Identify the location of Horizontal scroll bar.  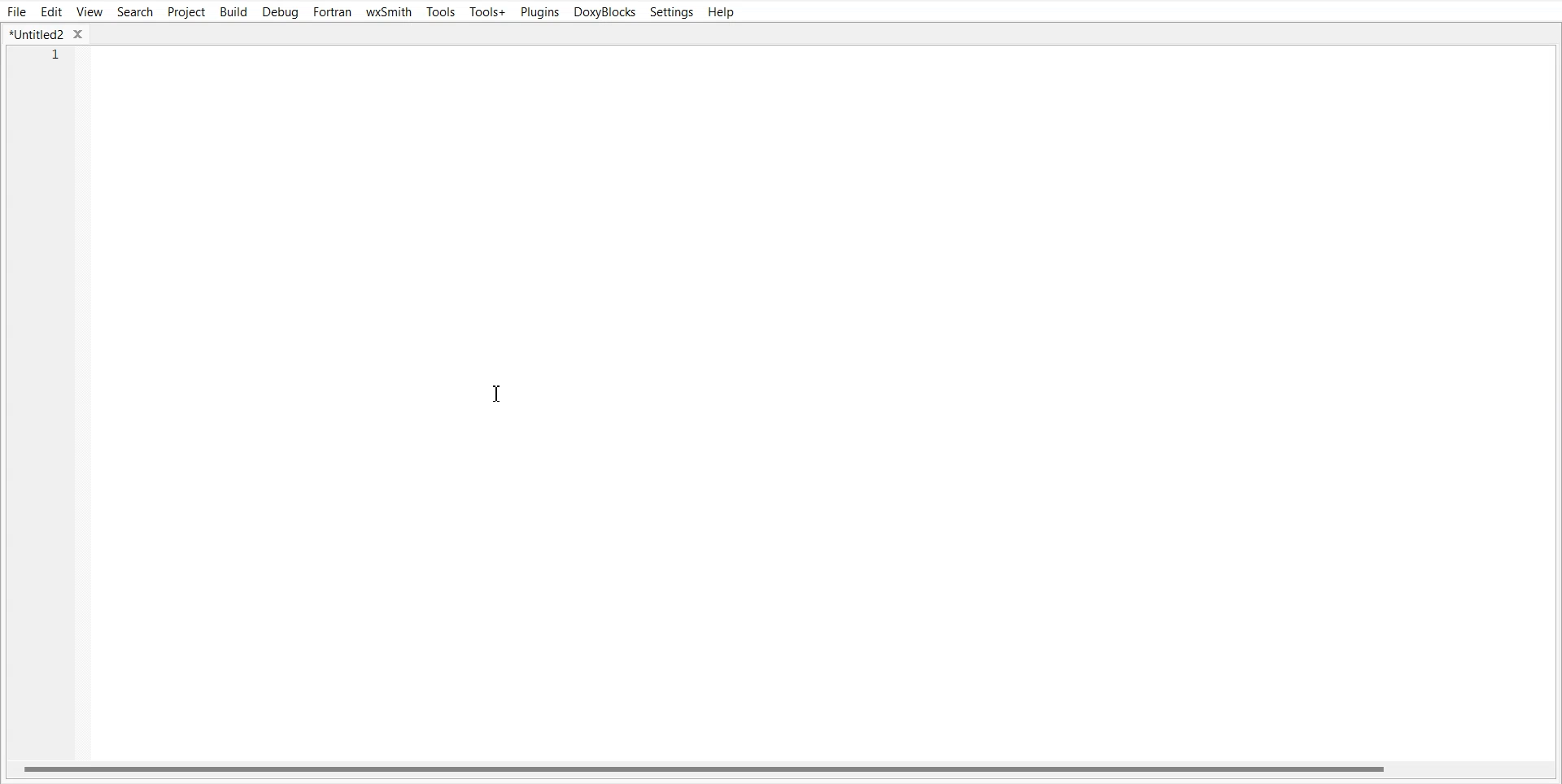
(781, 769).